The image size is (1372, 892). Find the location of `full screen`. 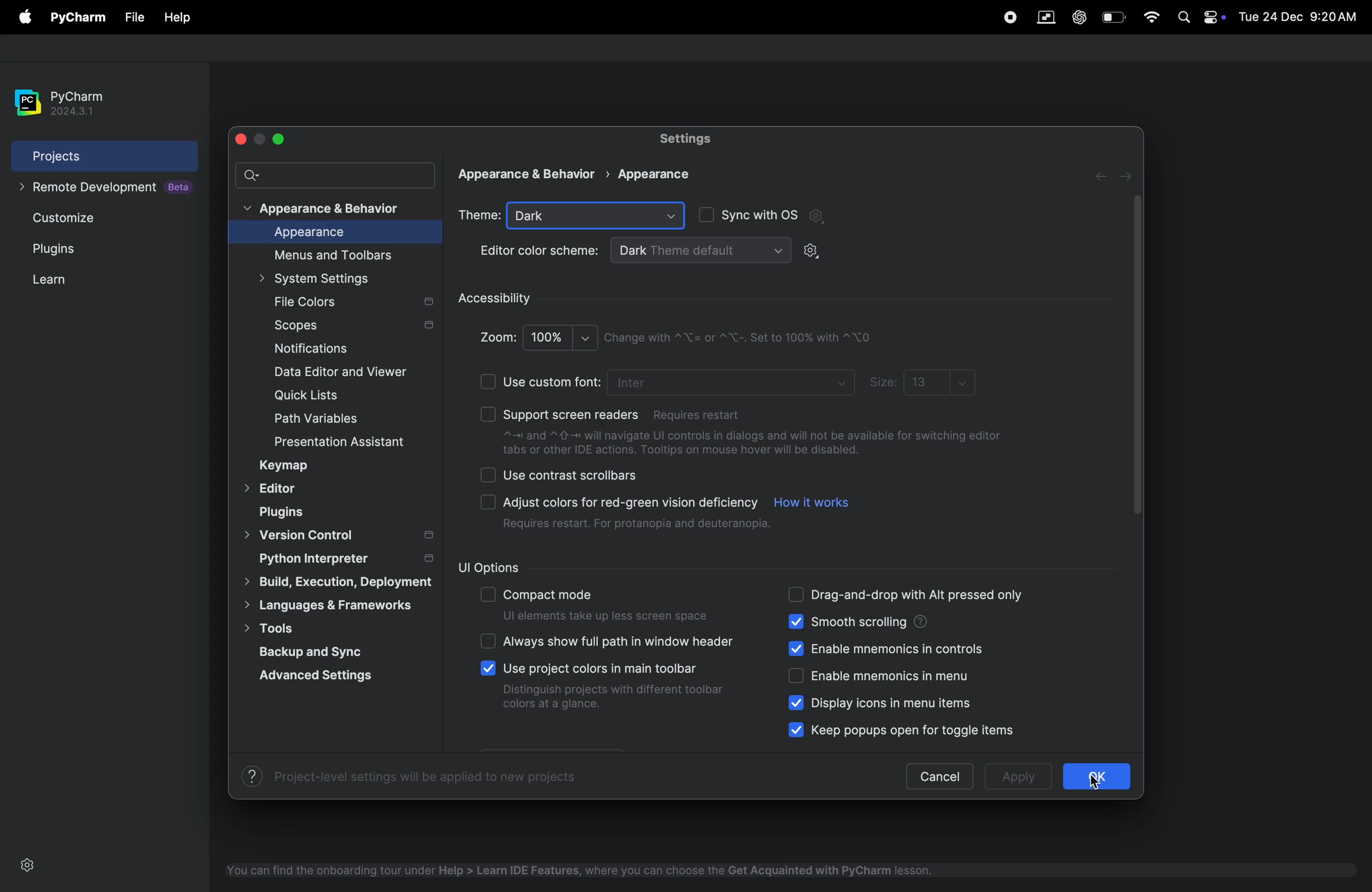

full screen is located at coordinates (278, 139).